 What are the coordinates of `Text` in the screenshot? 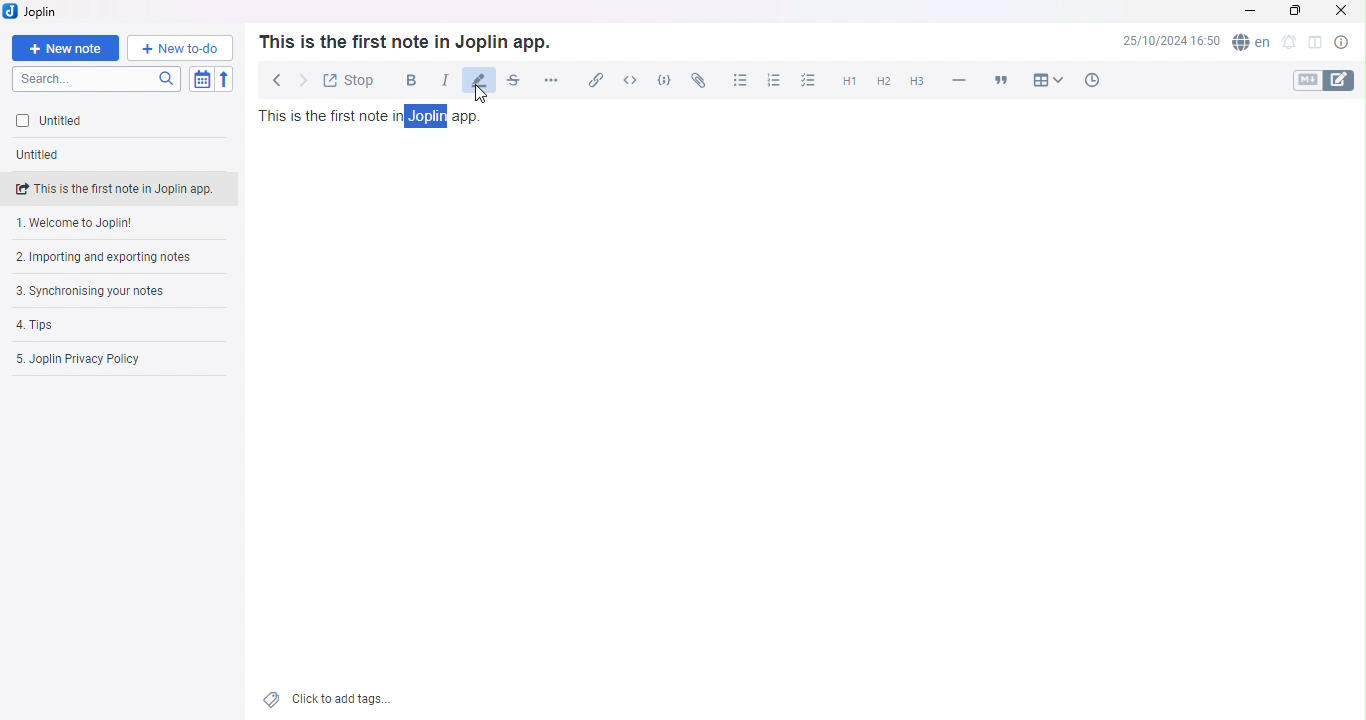 It's located at (404, 41).